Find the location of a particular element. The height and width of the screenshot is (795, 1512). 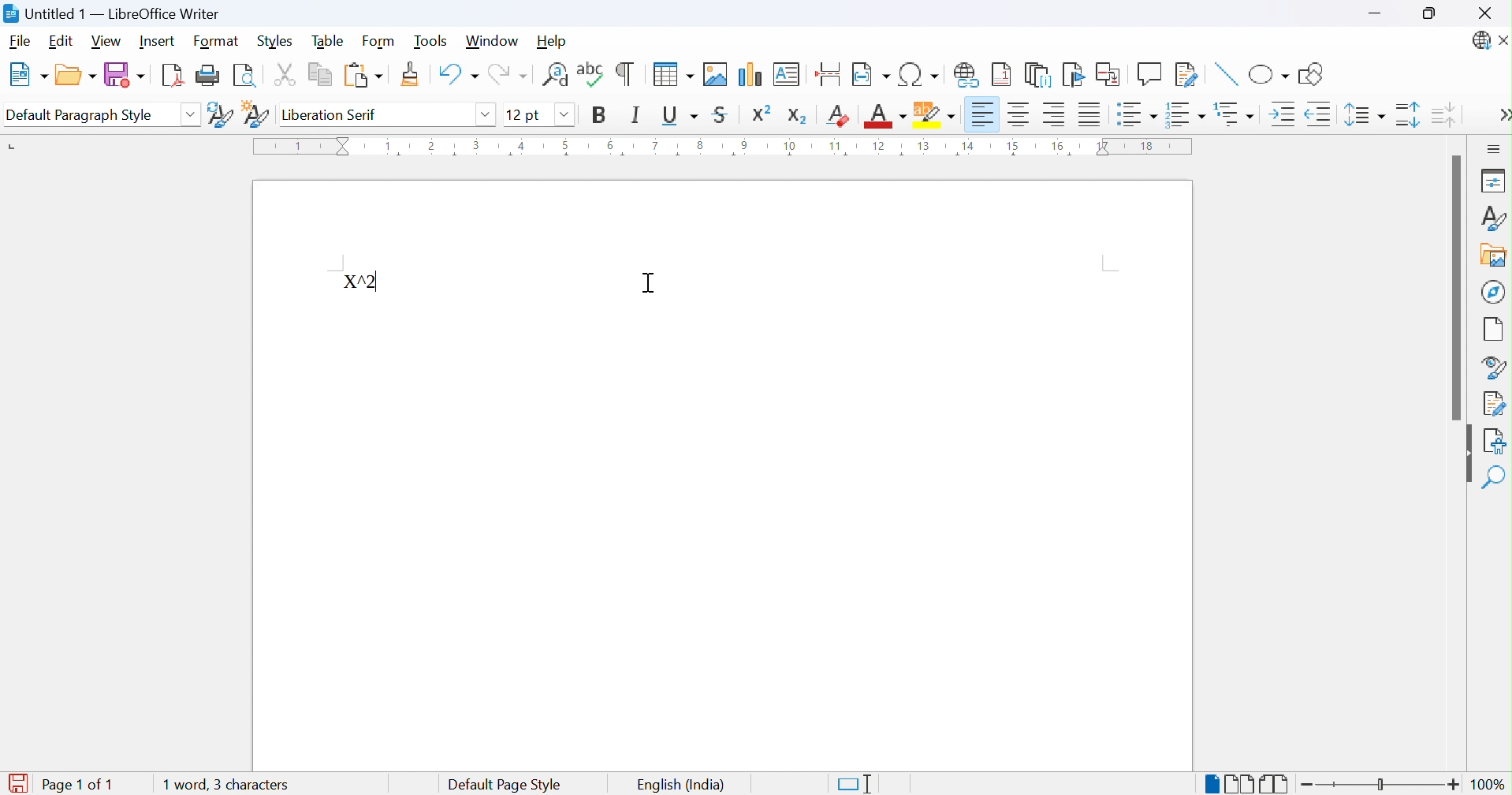

Insert line is located at coordinates (1227, 77).